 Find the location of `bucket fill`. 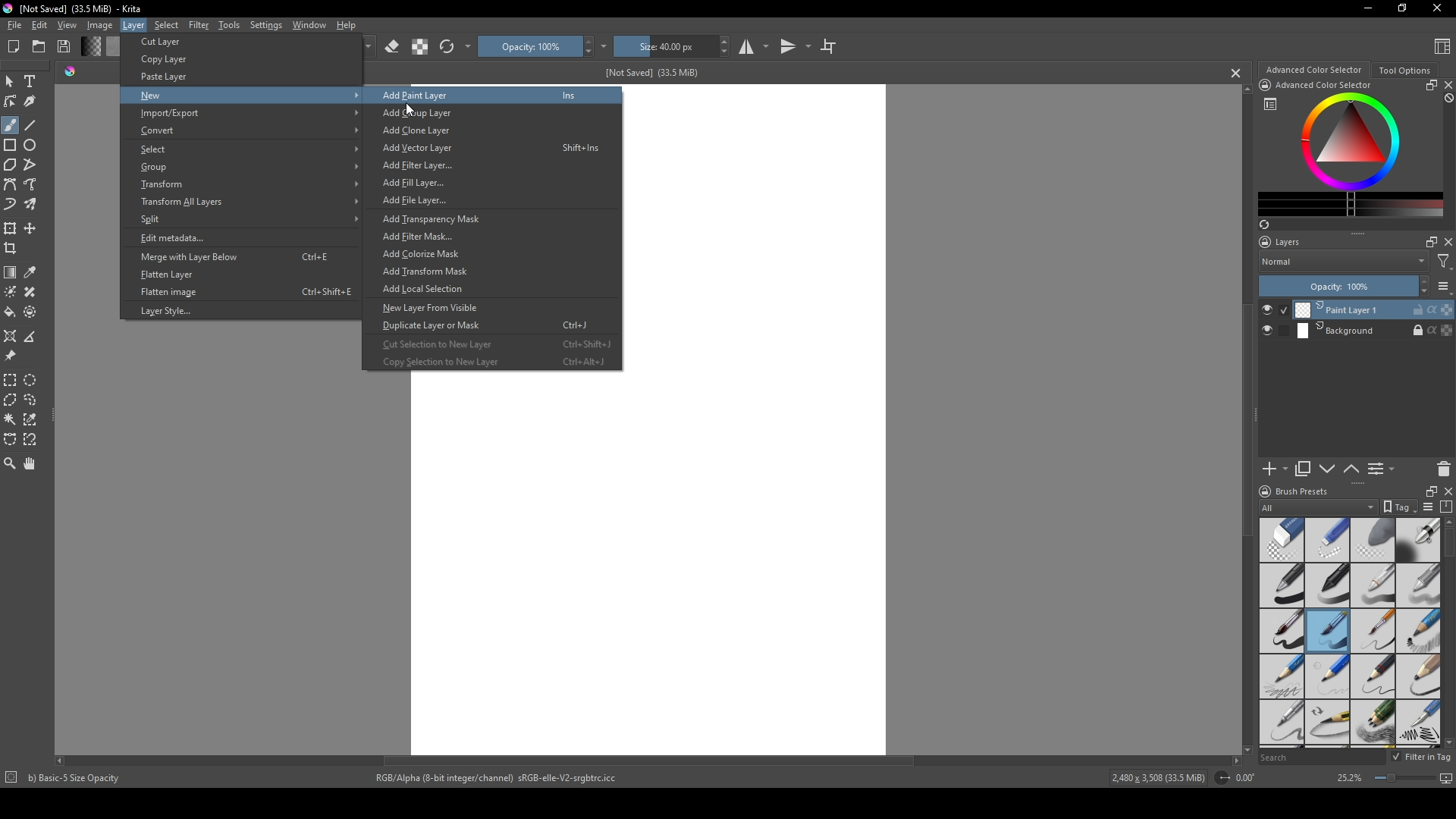

bucket fill is located at coordinates (11, 312).